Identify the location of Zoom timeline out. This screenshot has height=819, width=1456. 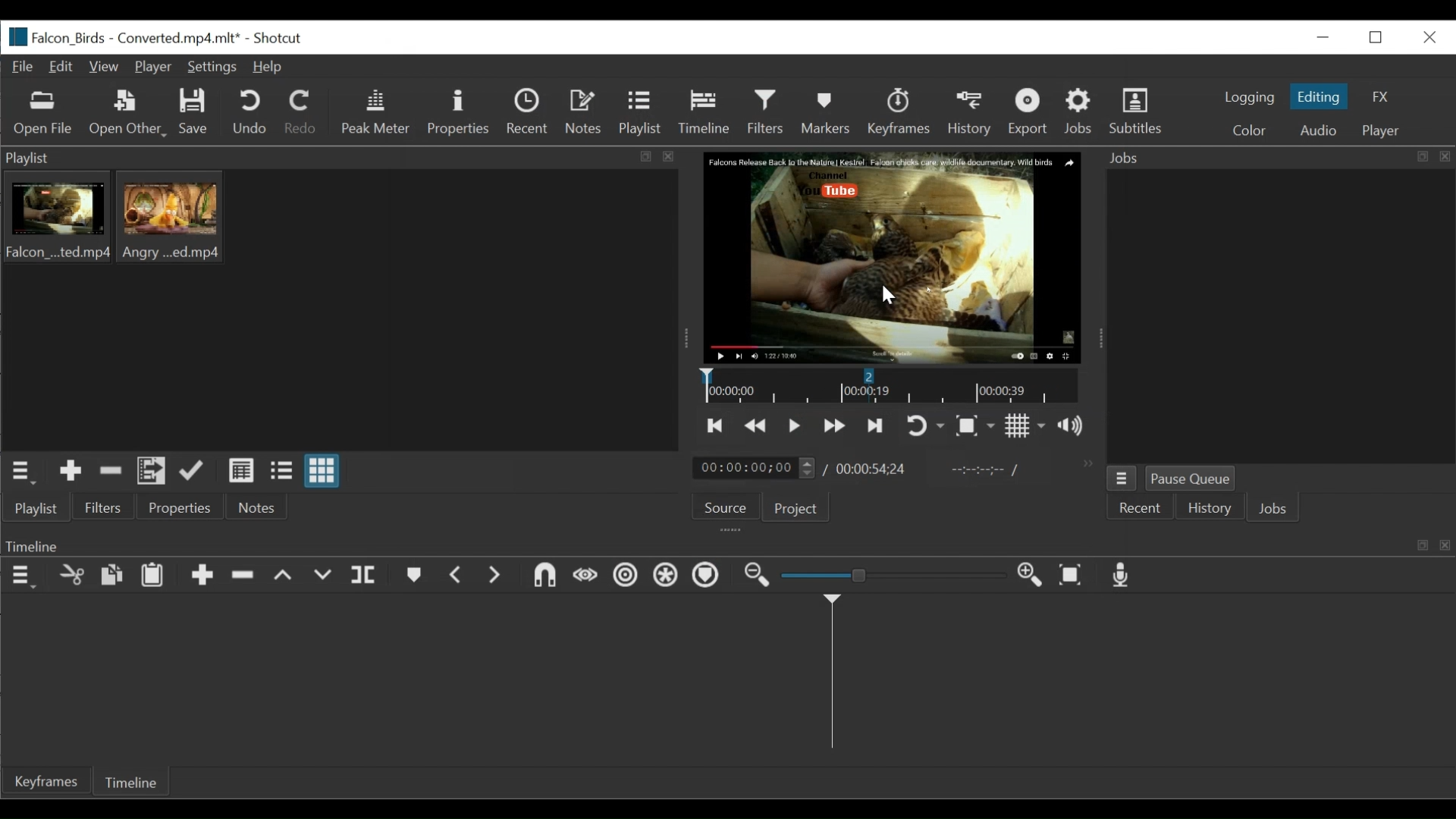
(755, 579).